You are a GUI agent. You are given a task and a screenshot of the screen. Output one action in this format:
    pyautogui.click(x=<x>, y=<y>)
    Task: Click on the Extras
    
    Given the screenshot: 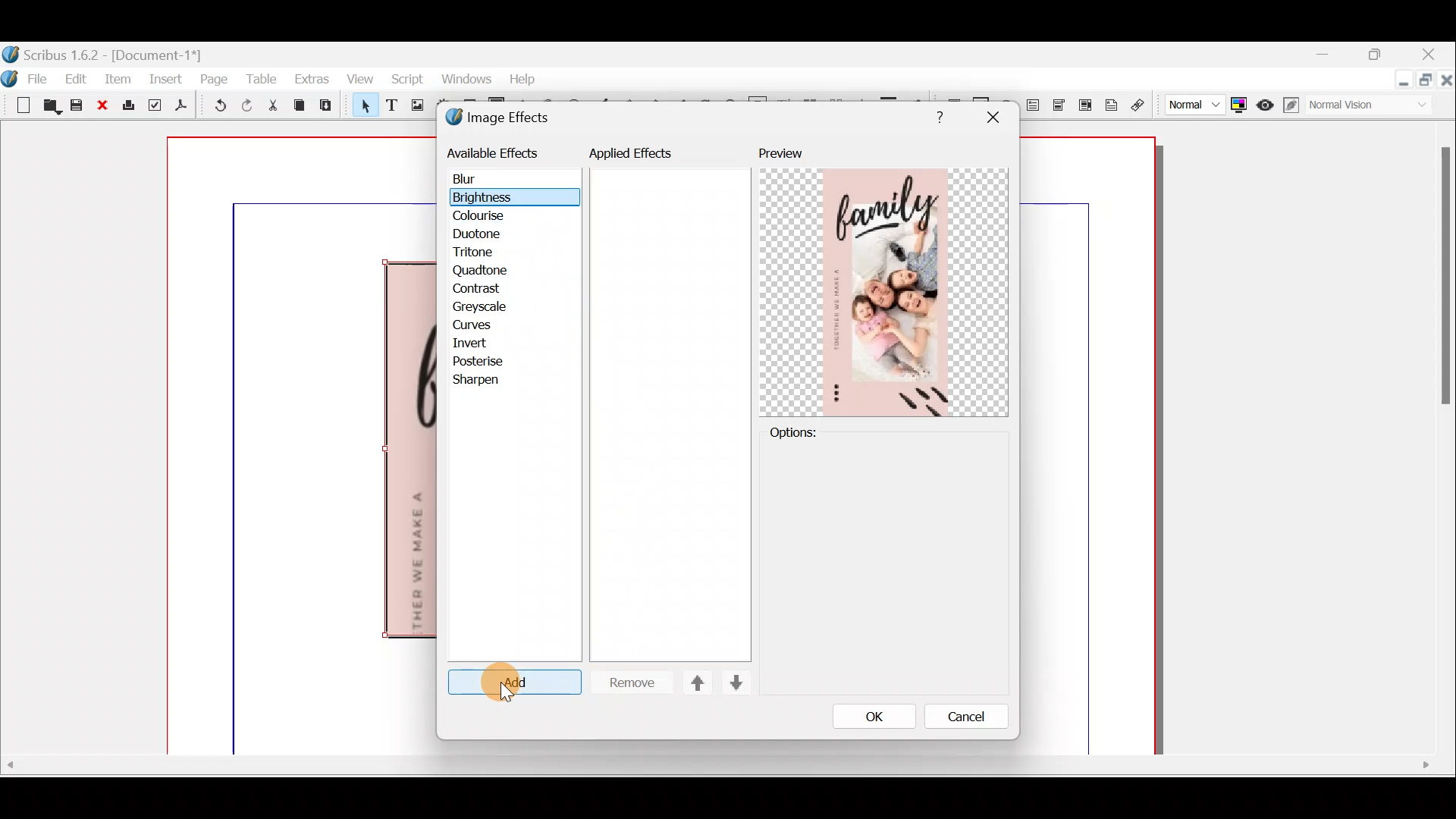 What is the action you would take?
    pyautogui.click(x=311, y=78)
    